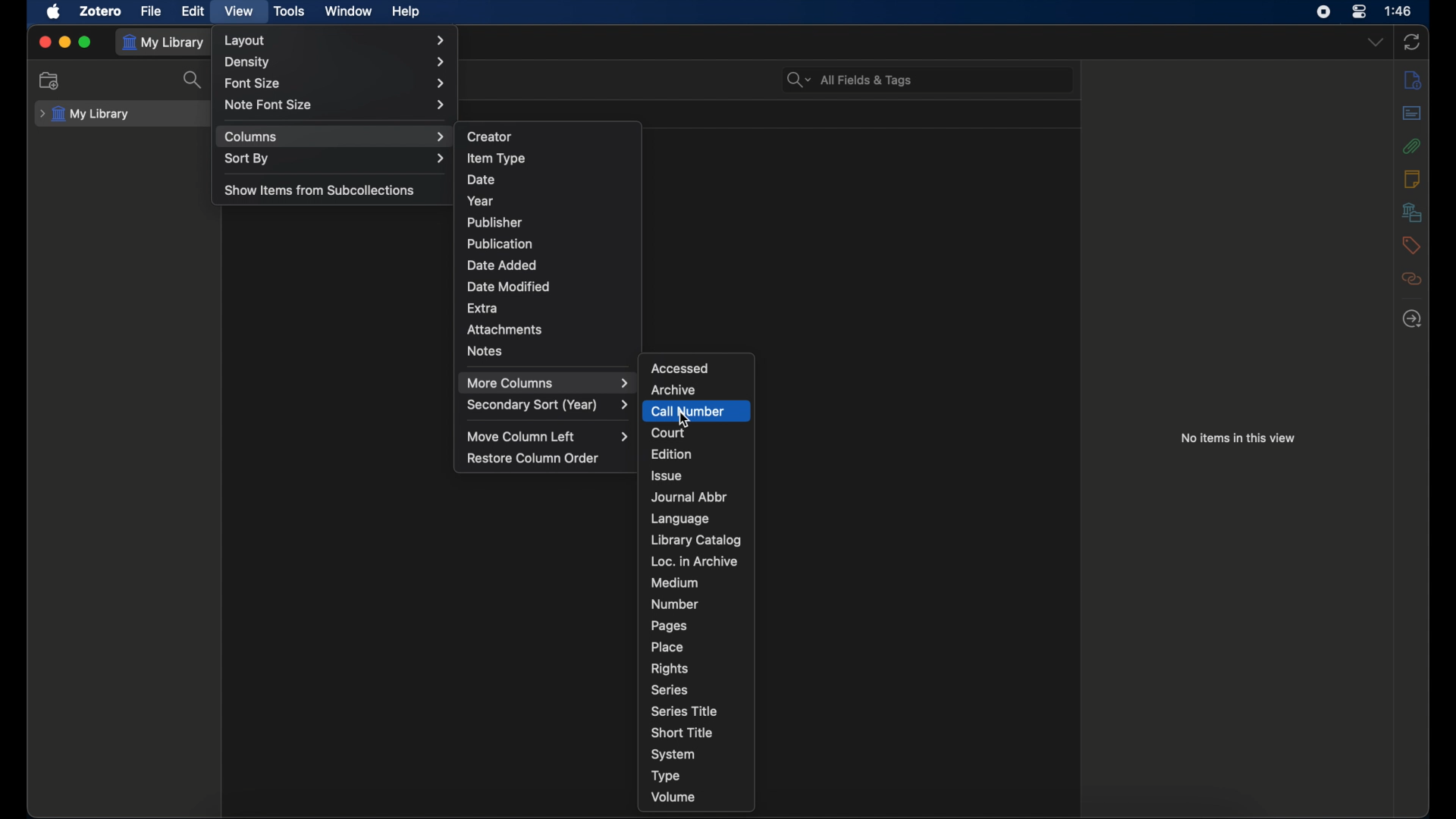 The width and height of the screenshot is (1456, 819). What do you see at coordinates (1414, 112) in the screenshot?
I see `abstract` at bounding box center [1414, 112].